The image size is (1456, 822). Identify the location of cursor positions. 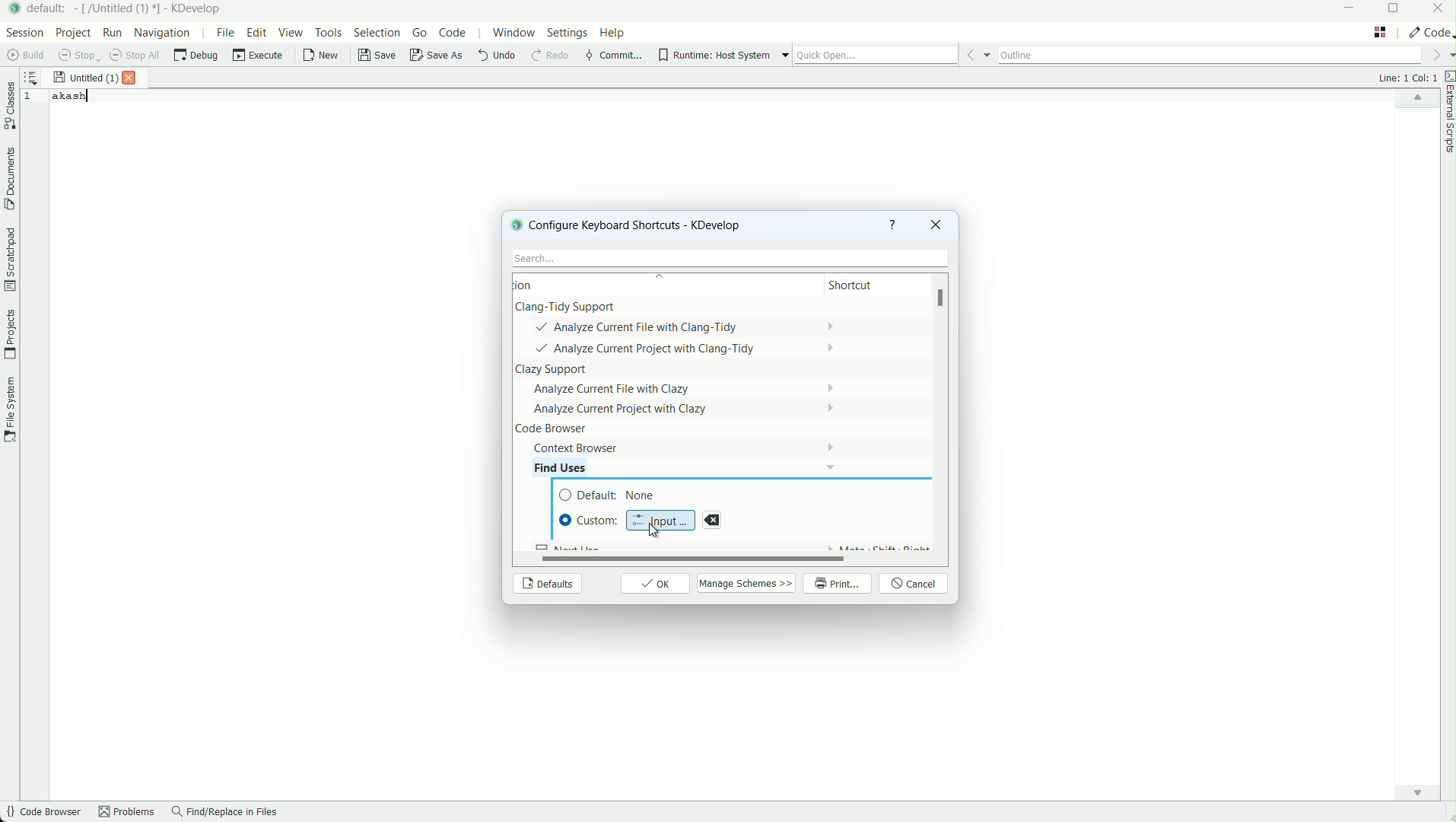
(1407, 78).